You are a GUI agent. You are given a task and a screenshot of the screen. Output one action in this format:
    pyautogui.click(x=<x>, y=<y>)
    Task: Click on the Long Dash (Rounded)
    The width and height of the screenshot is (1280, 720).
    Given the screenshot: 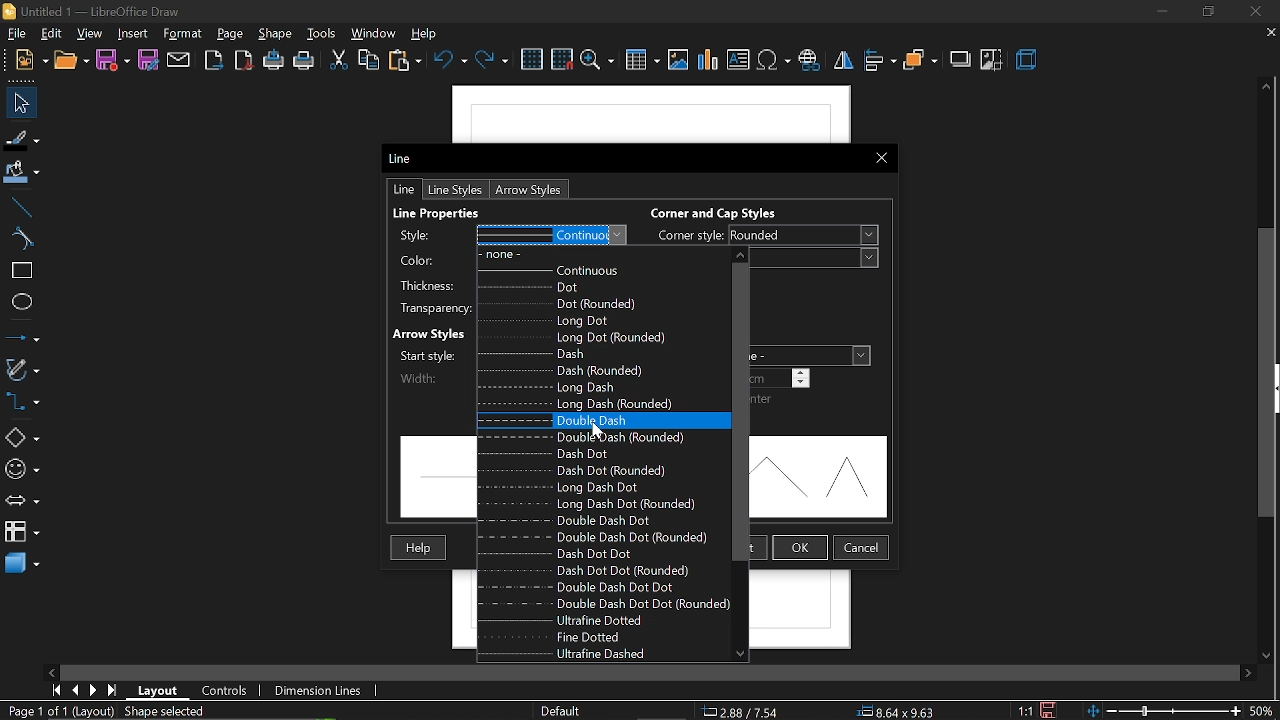 What is the action you would take?
    pyautogui.click(x=602, y=403)
    